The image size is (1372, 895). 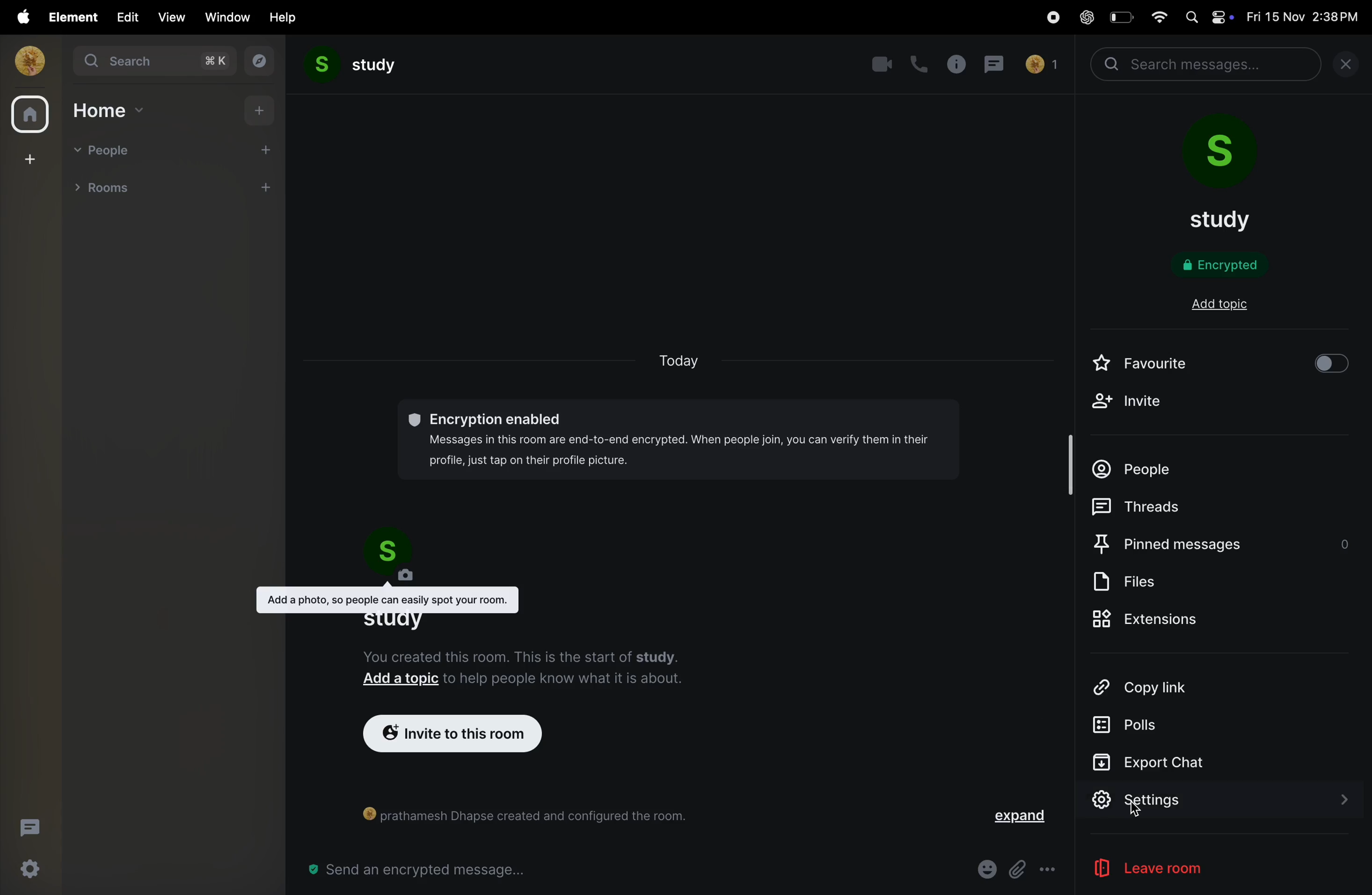 I want to click on people, so click(x=1139, y=464).